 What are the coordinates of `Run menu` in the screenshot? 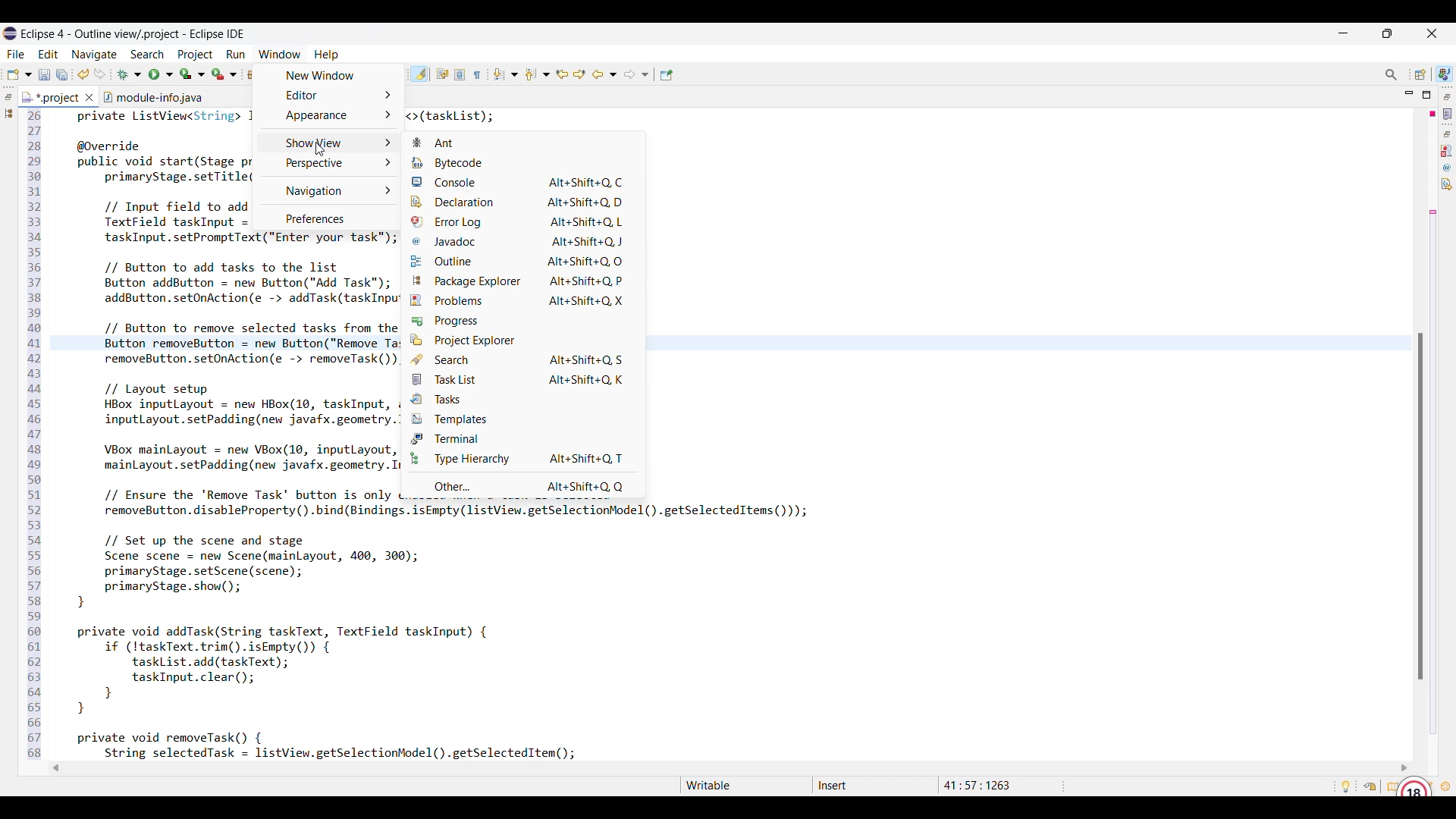 It's located at (236, 55).